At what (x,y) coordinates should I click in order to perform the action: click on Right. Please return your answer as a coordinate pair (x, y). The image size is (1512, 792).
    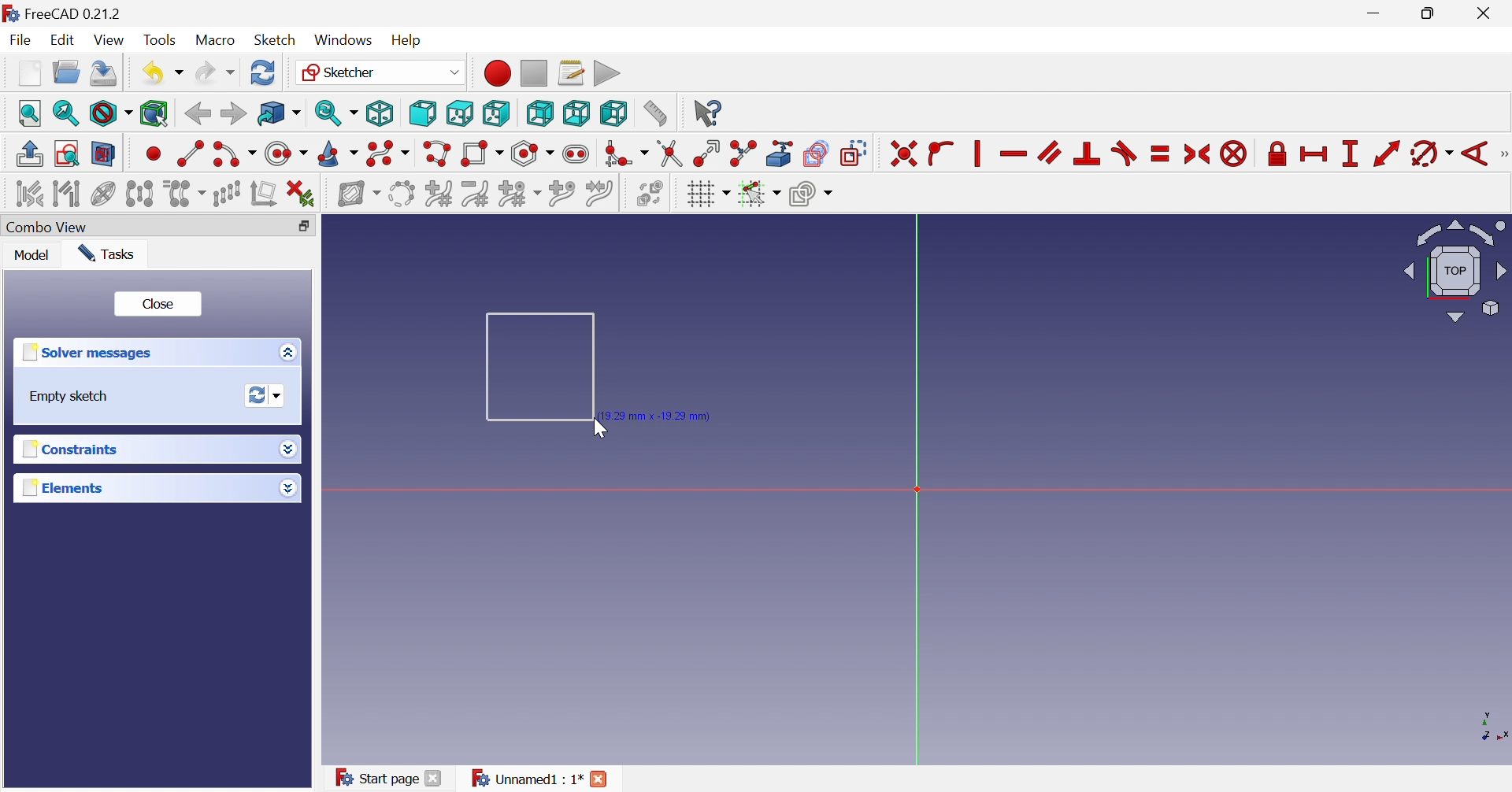
    Looking at the image, I should click on (495, 113).